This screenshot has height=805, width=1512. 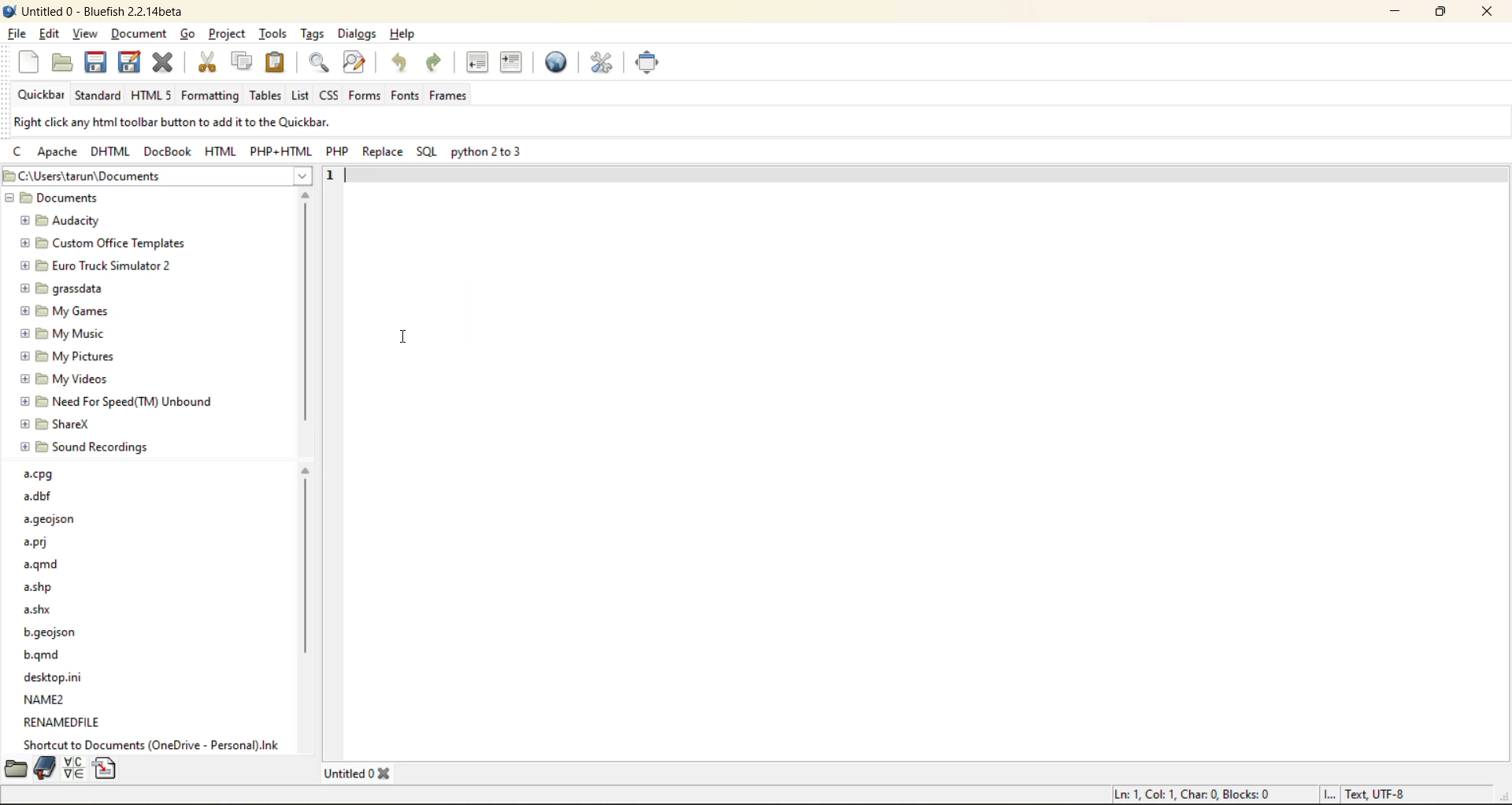 I want to click on replace, so click(x=382, y=152).